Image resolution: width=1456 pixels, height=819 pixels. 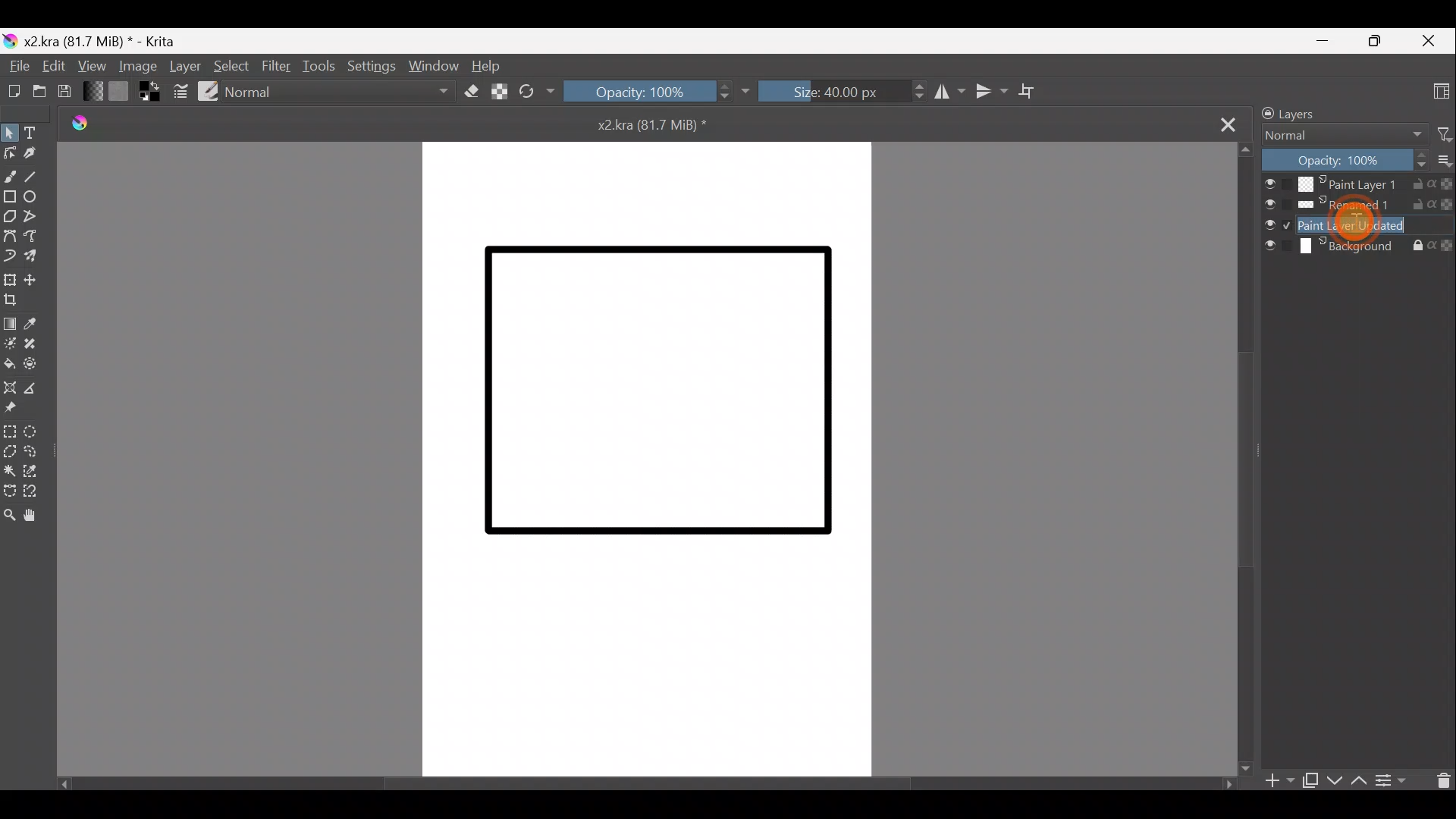 I want to click on Tools, so click(x=320, y=67).